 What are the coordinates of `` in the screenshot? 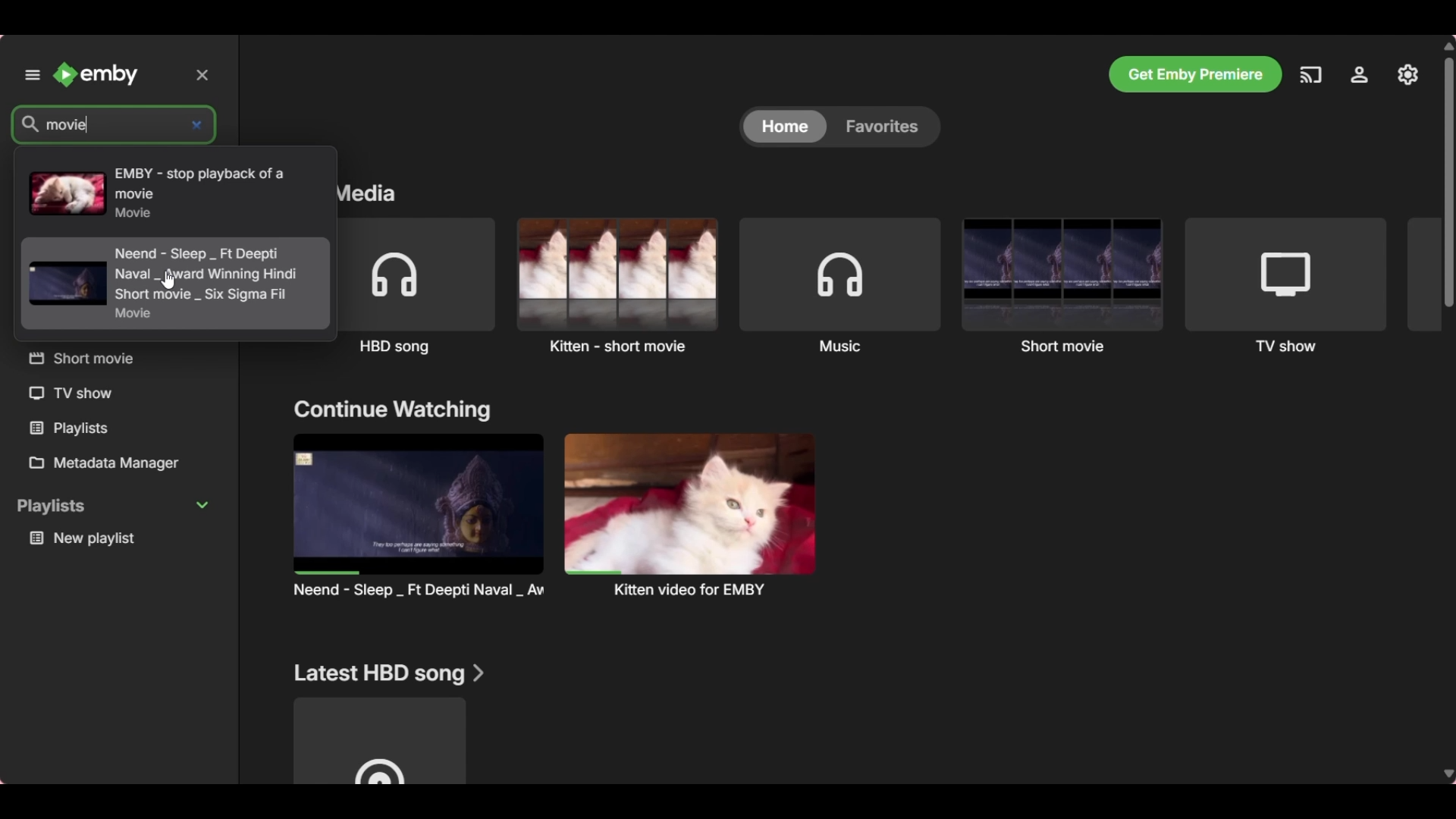 It's located at (695, 519).